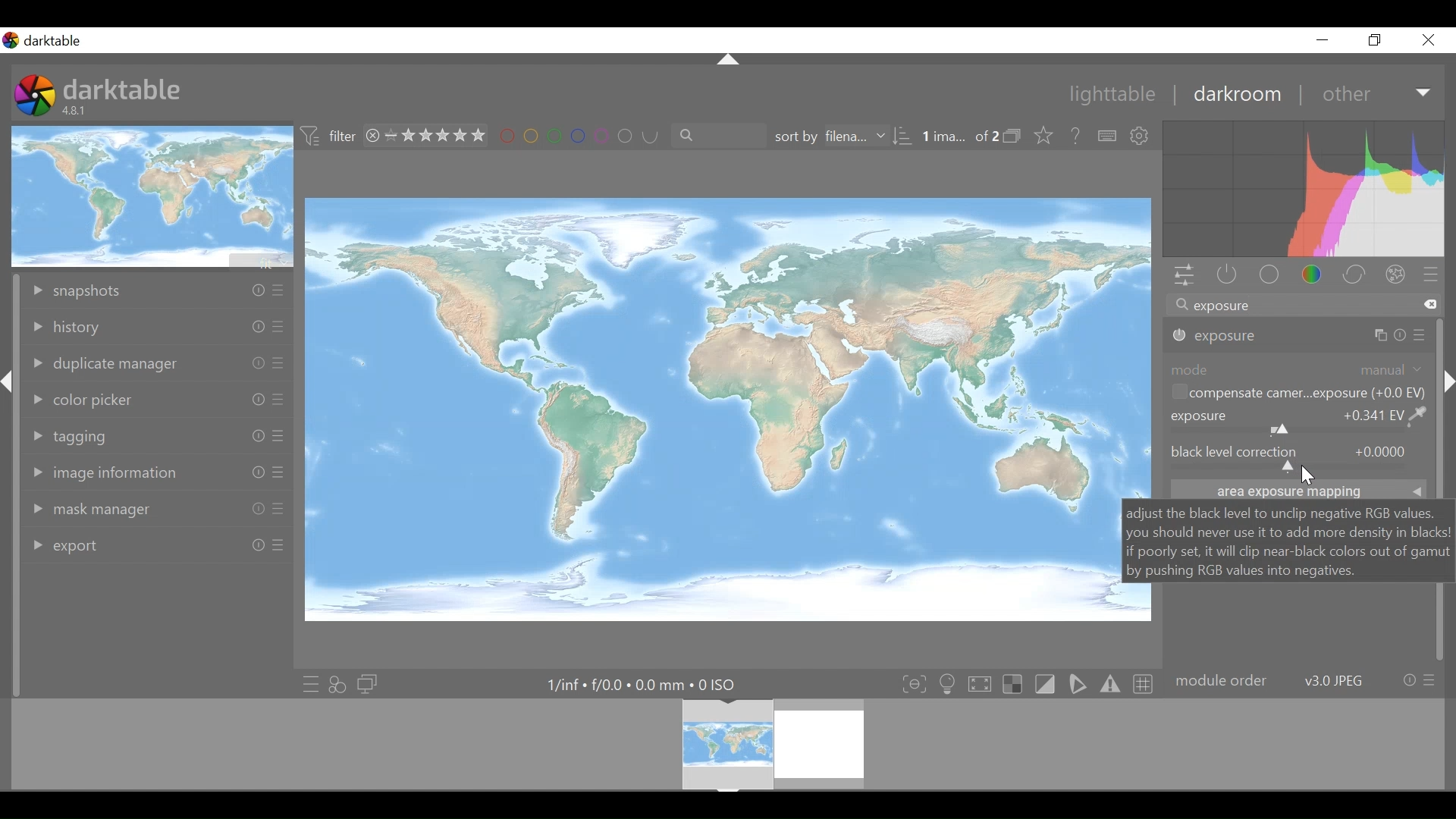  Describe the element at coordinates (1376, 92) in the screenshot. I see `Other` at that location.